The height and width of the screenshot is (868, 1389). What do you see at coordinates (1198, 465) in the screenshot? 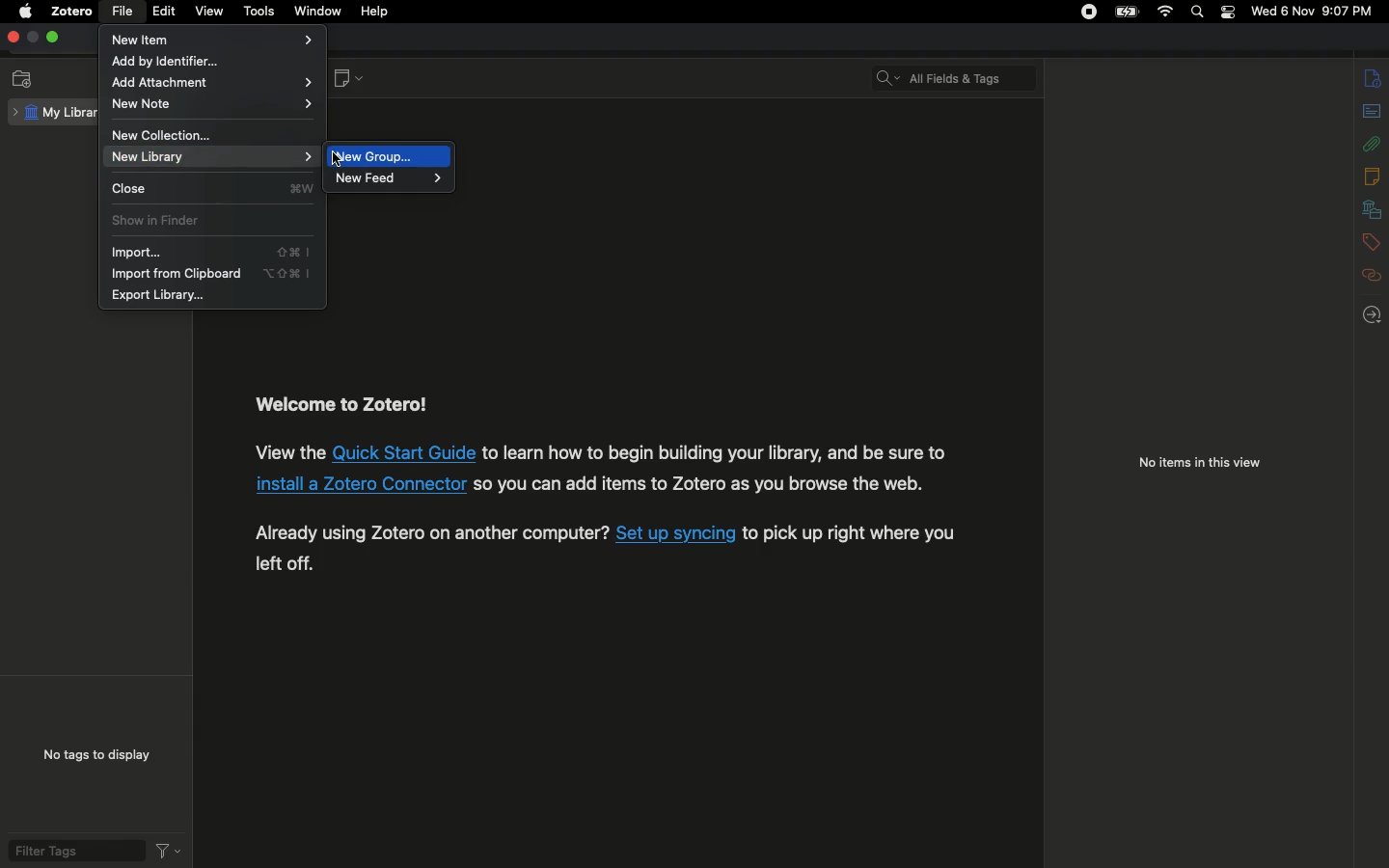
I see `No items in this view` at bounding box center [1198, 465].